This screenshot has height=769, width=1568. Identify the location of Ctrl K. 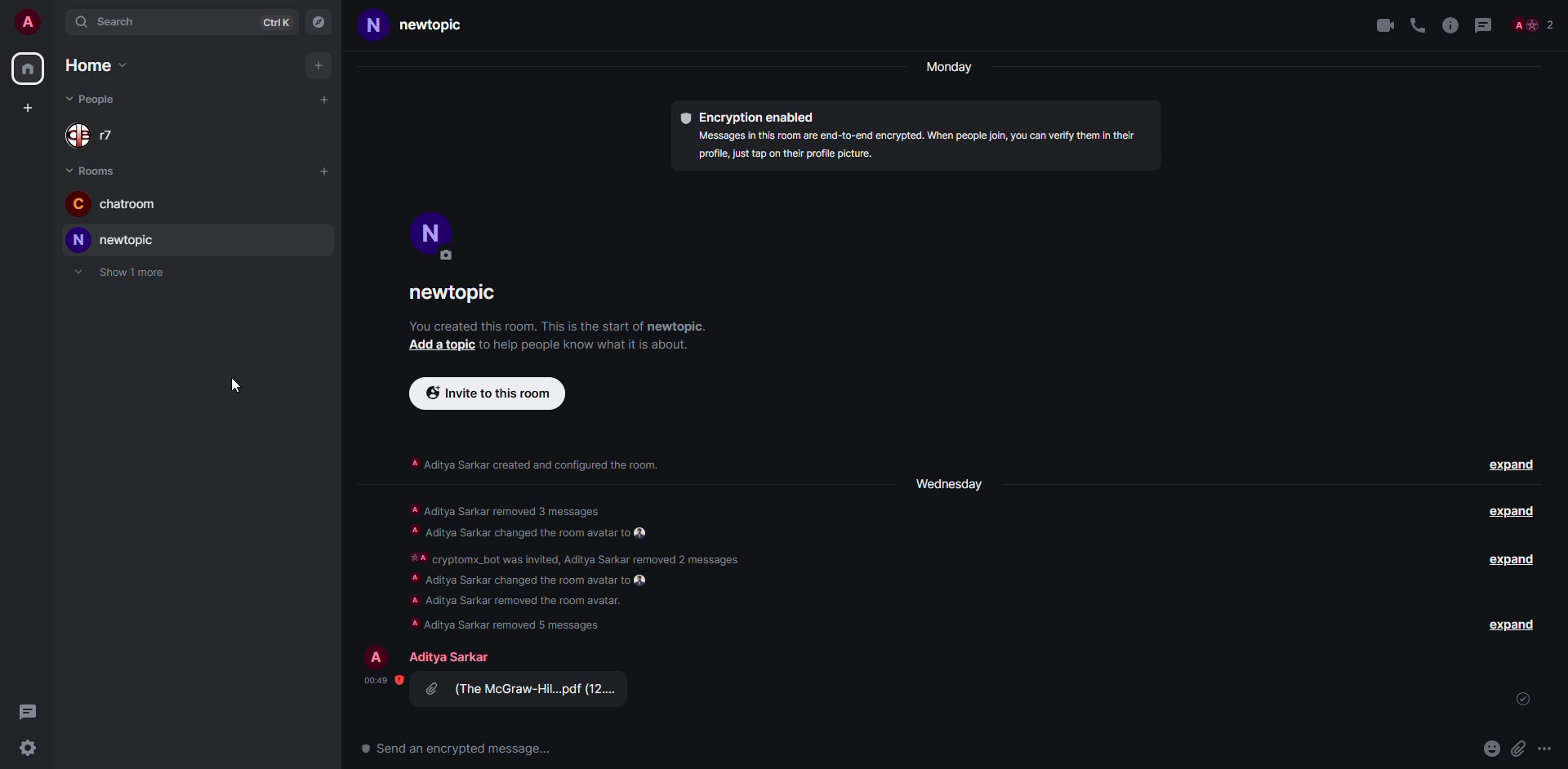
(279, 22).